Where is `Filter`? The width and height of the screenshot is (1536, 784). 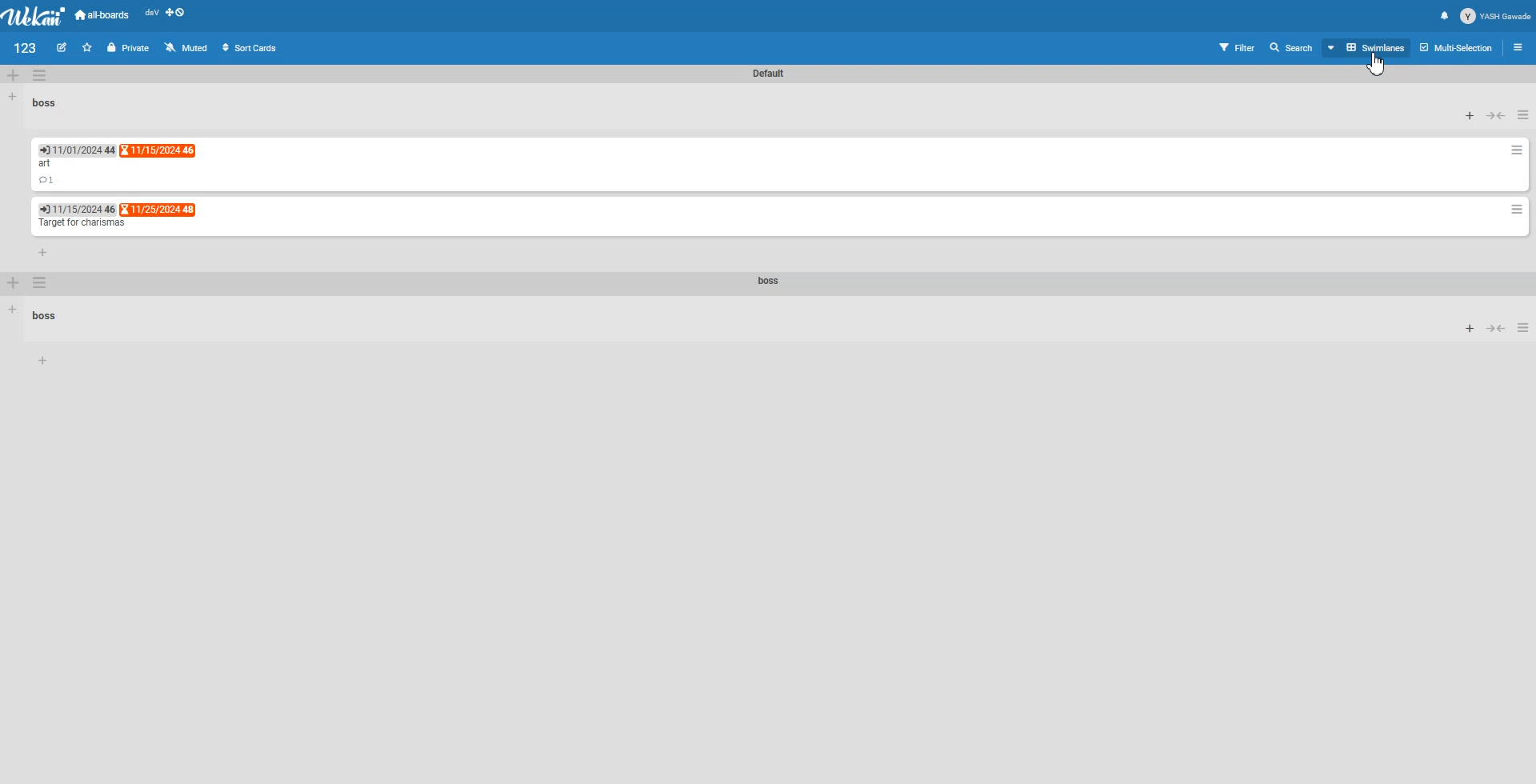 Filter is located at coordinates (1234, 47).